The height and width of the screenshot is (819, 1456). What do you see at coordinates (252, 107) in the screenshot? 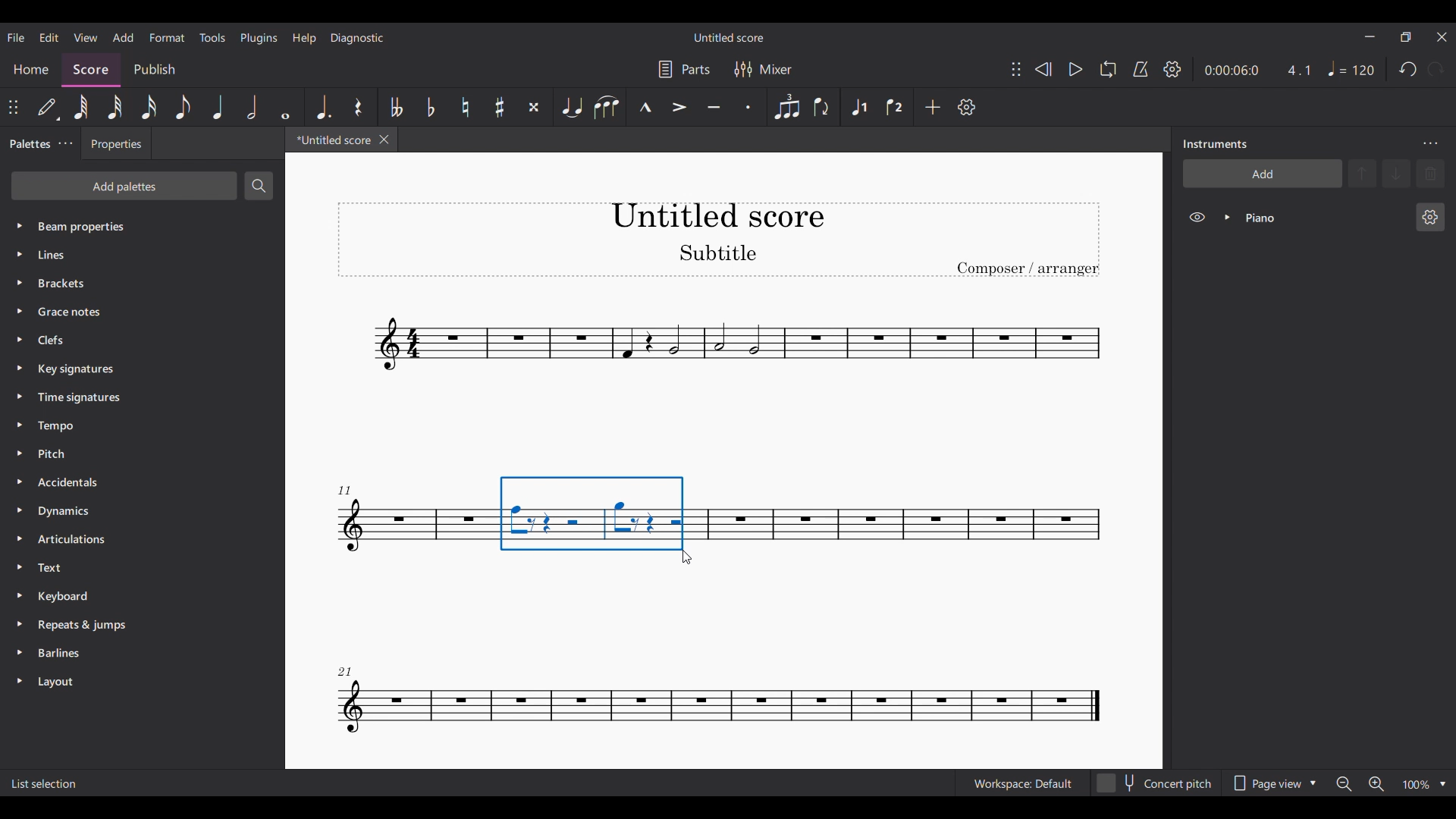
I see `Half note` at bounding box center [252, 107].